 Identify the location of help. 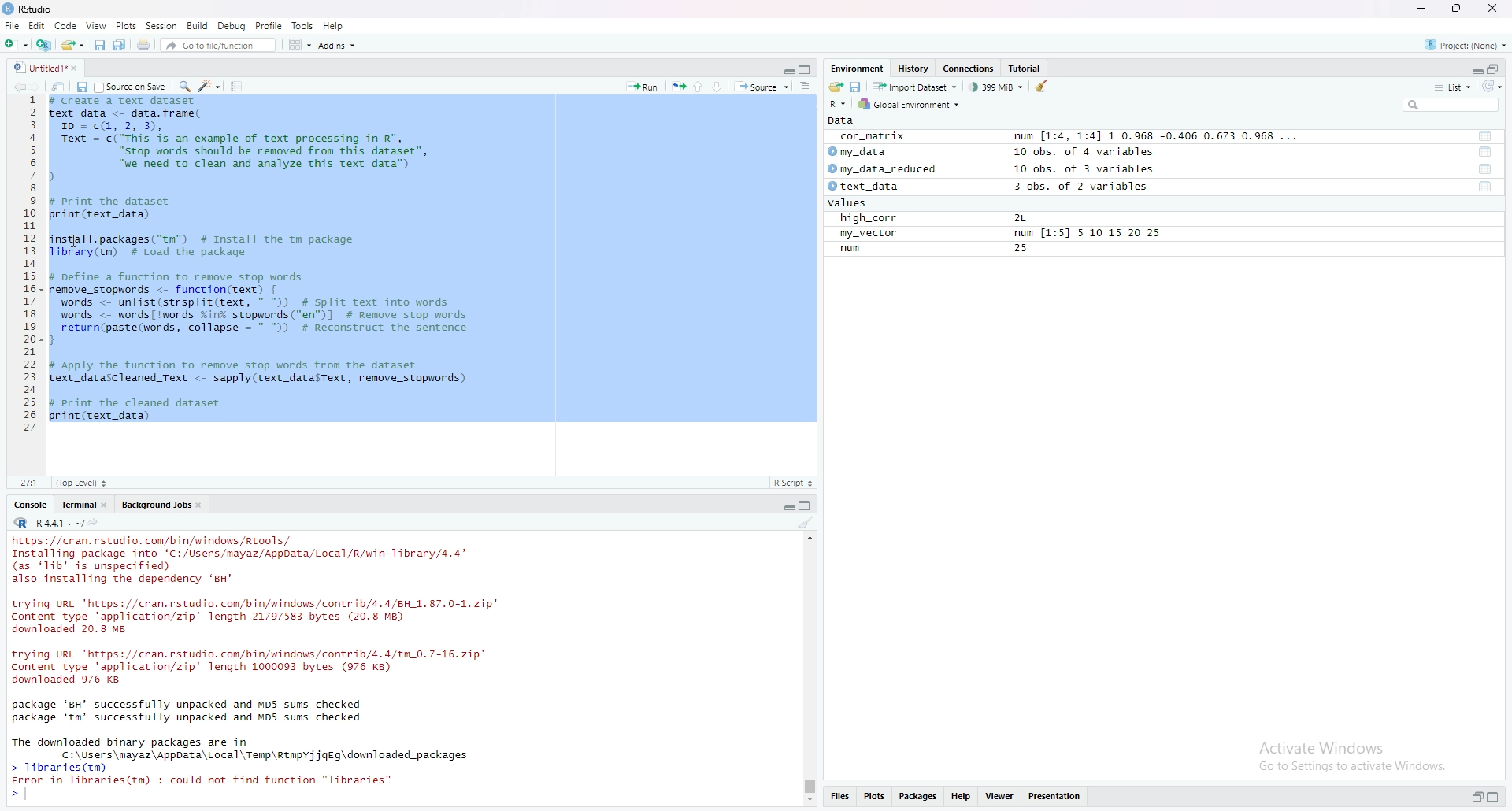
(960, 796).